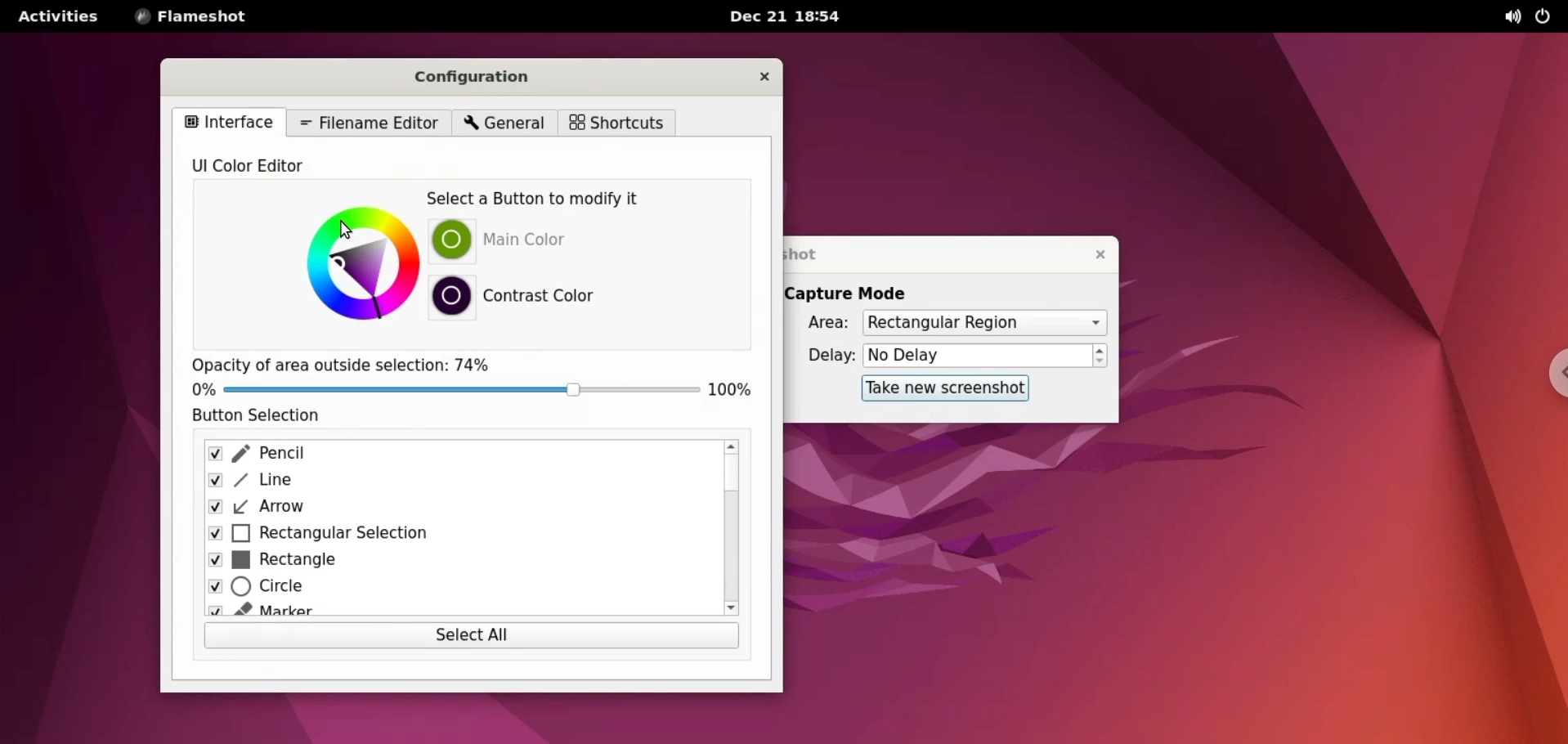 The height and width of the screenshot is (744, 1568). Describe the element at coordinates (450, 589) in the screenshot. I see `circle checkbox` at that location.